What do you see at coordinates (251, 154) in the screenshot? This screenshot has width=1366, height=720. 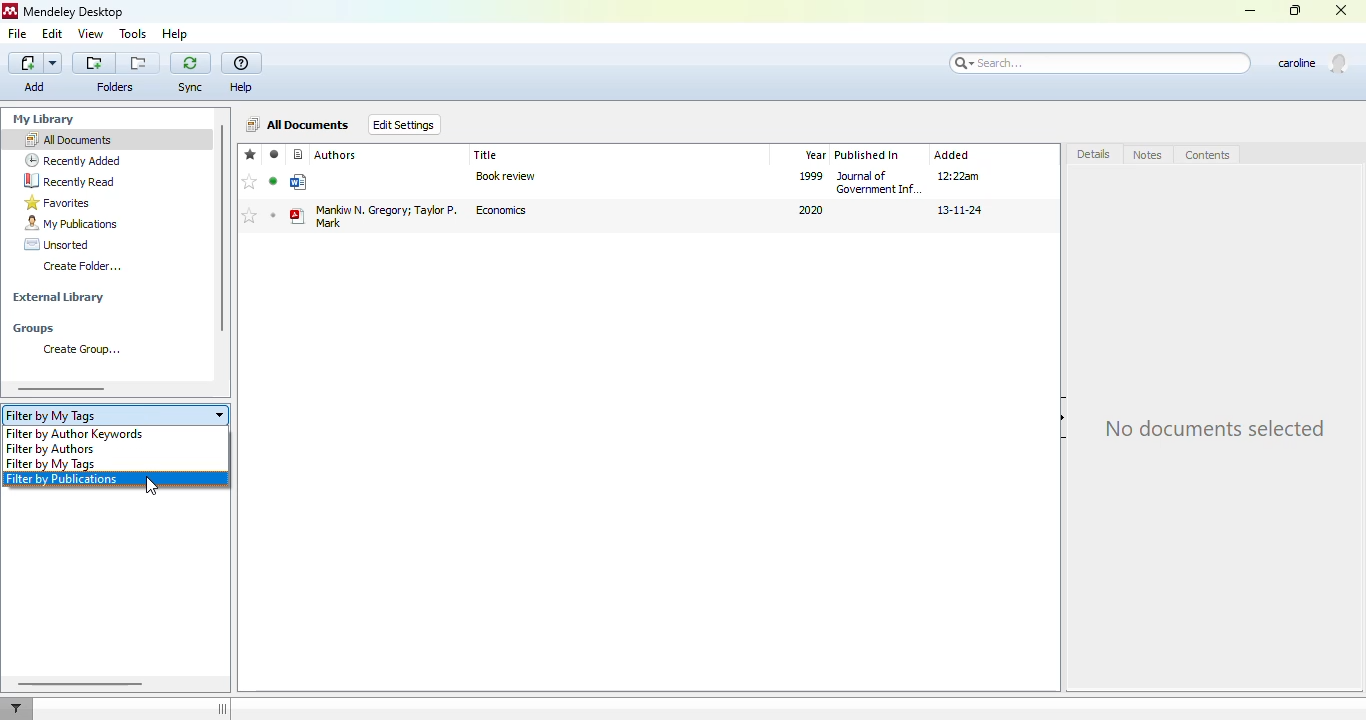 I see `favorites` at bounding box center [251, 154].